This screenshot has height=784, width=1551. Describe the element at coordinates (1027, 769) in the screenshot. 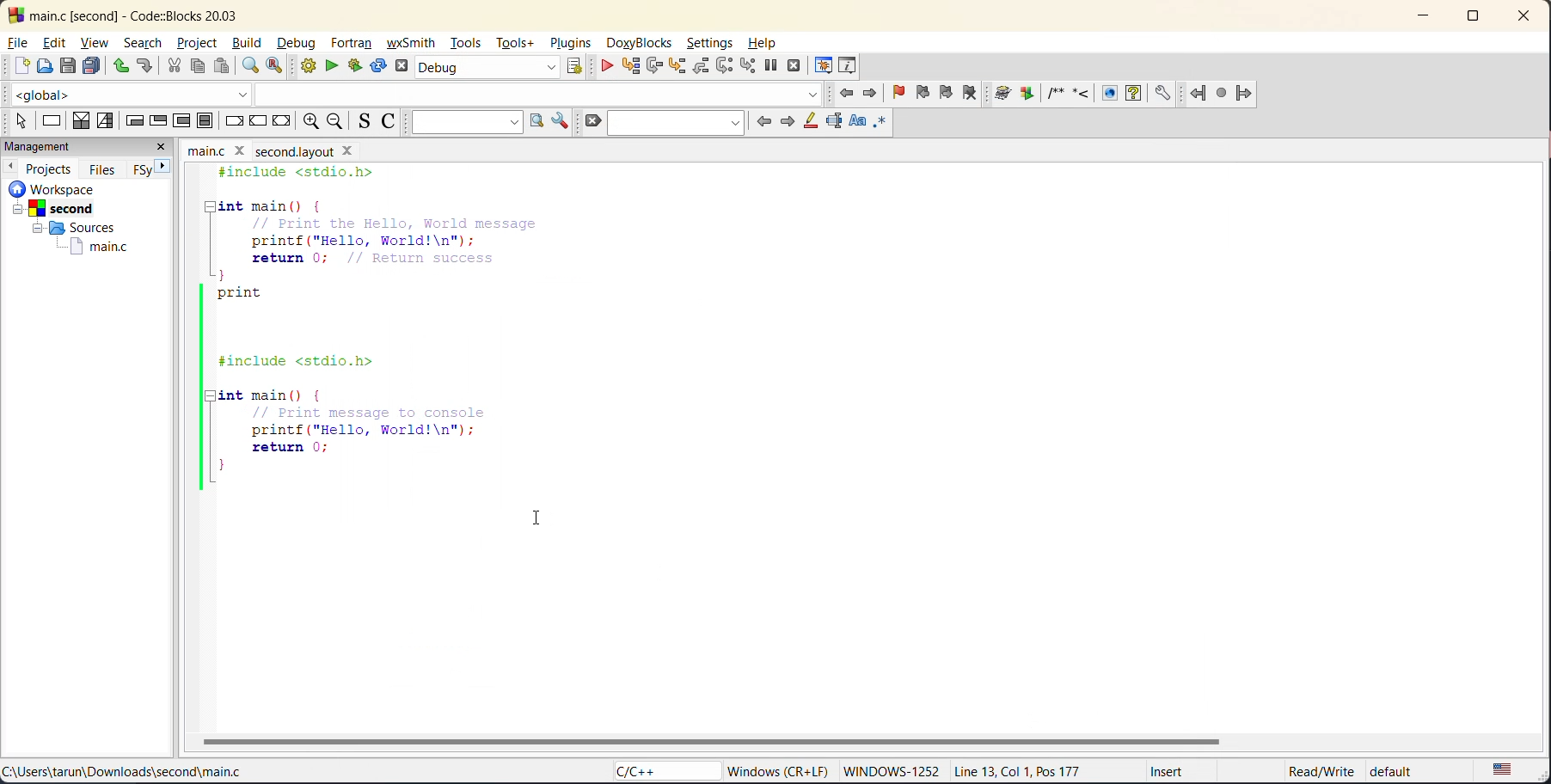

I see `Line 13, Col 1, Pos 177` at that location.